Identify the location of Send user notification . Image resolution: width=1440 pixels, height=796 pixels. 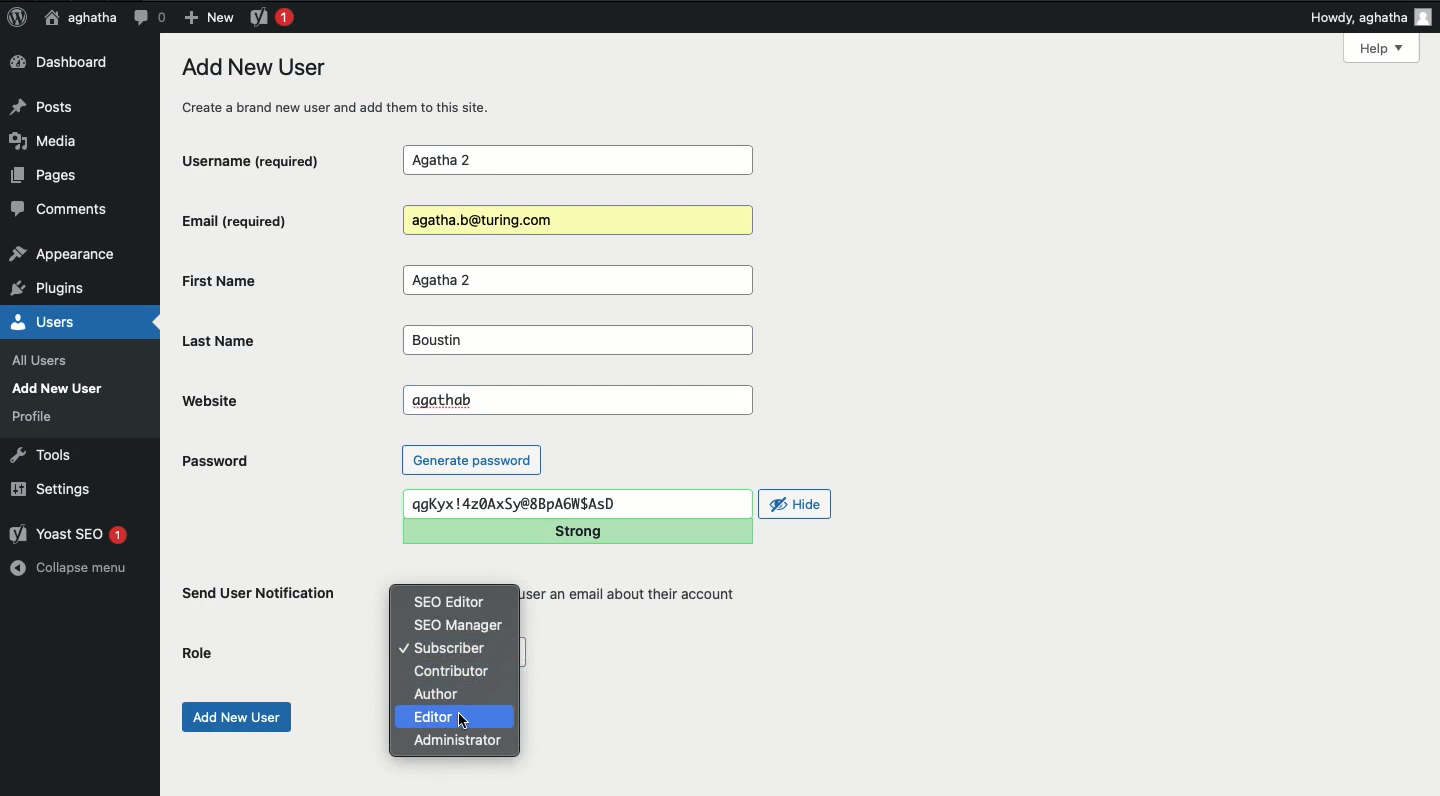
(260, 597).